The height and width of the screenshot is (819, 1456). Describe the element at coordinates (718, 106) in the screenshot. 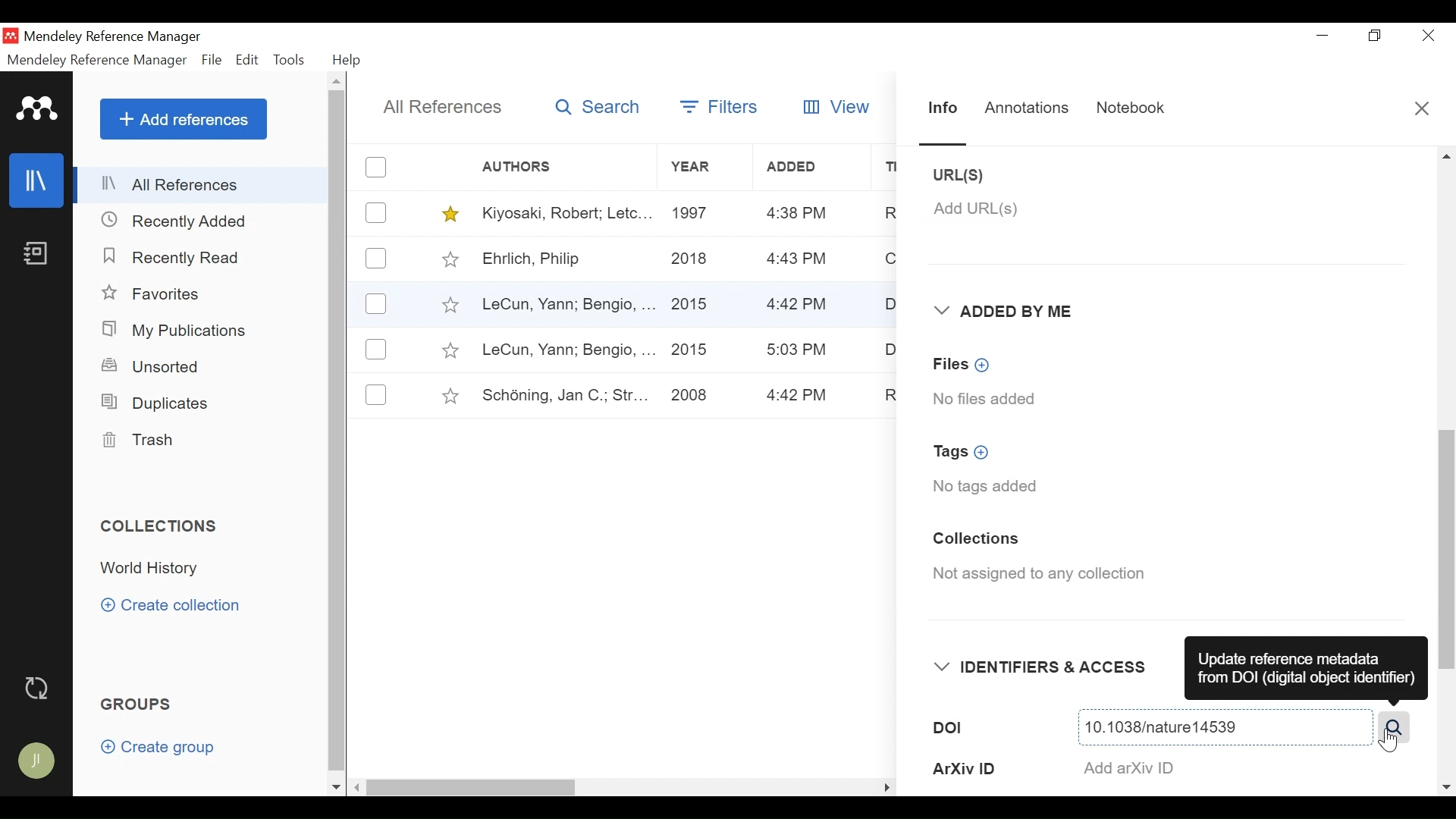

I see `Filters` at that location.